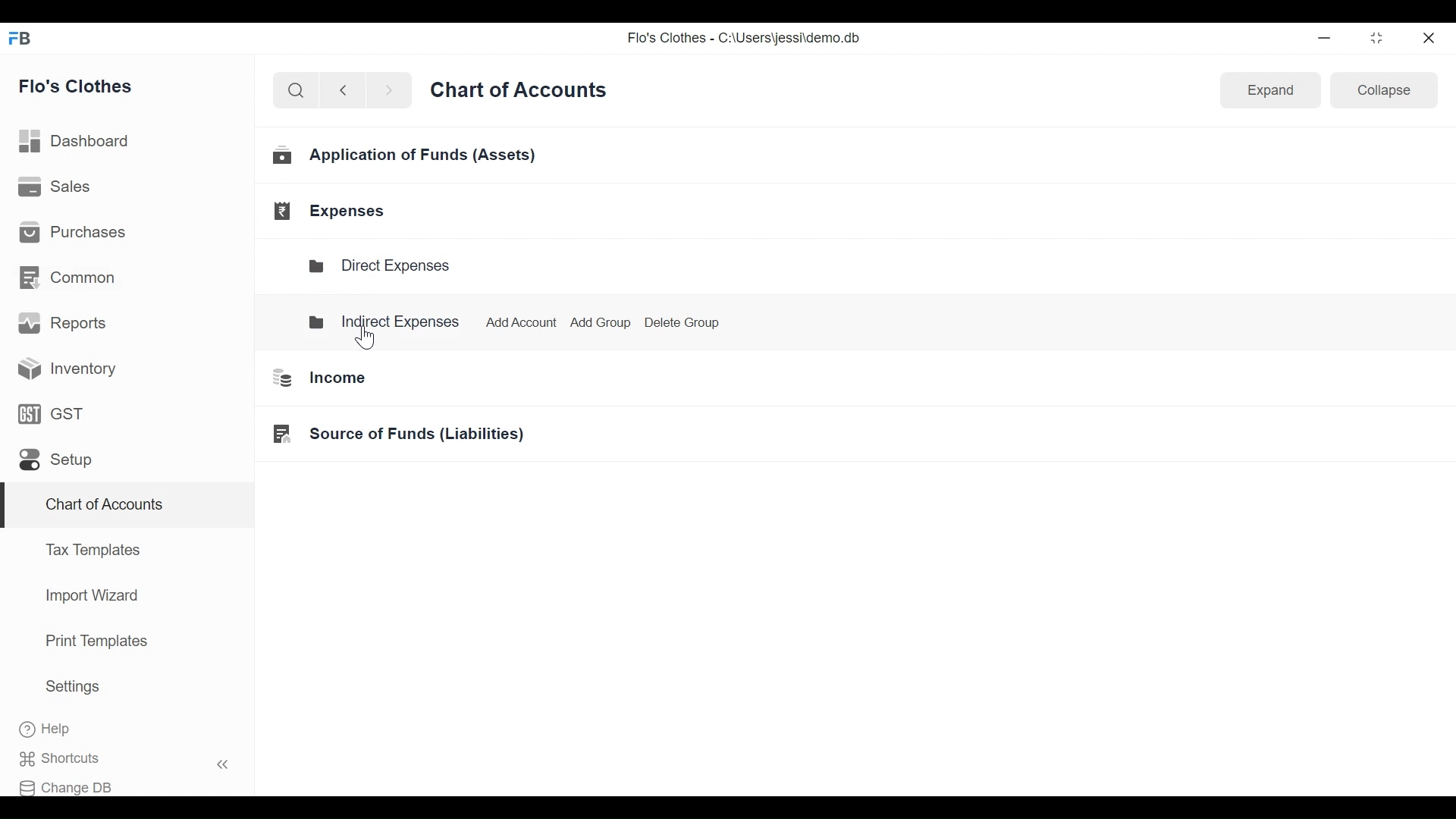 The width and height of the screenshot is (1456, 819). I want to click on Flo's Clothes - C:\Users\jessi\demo.db, so click(746, 41).